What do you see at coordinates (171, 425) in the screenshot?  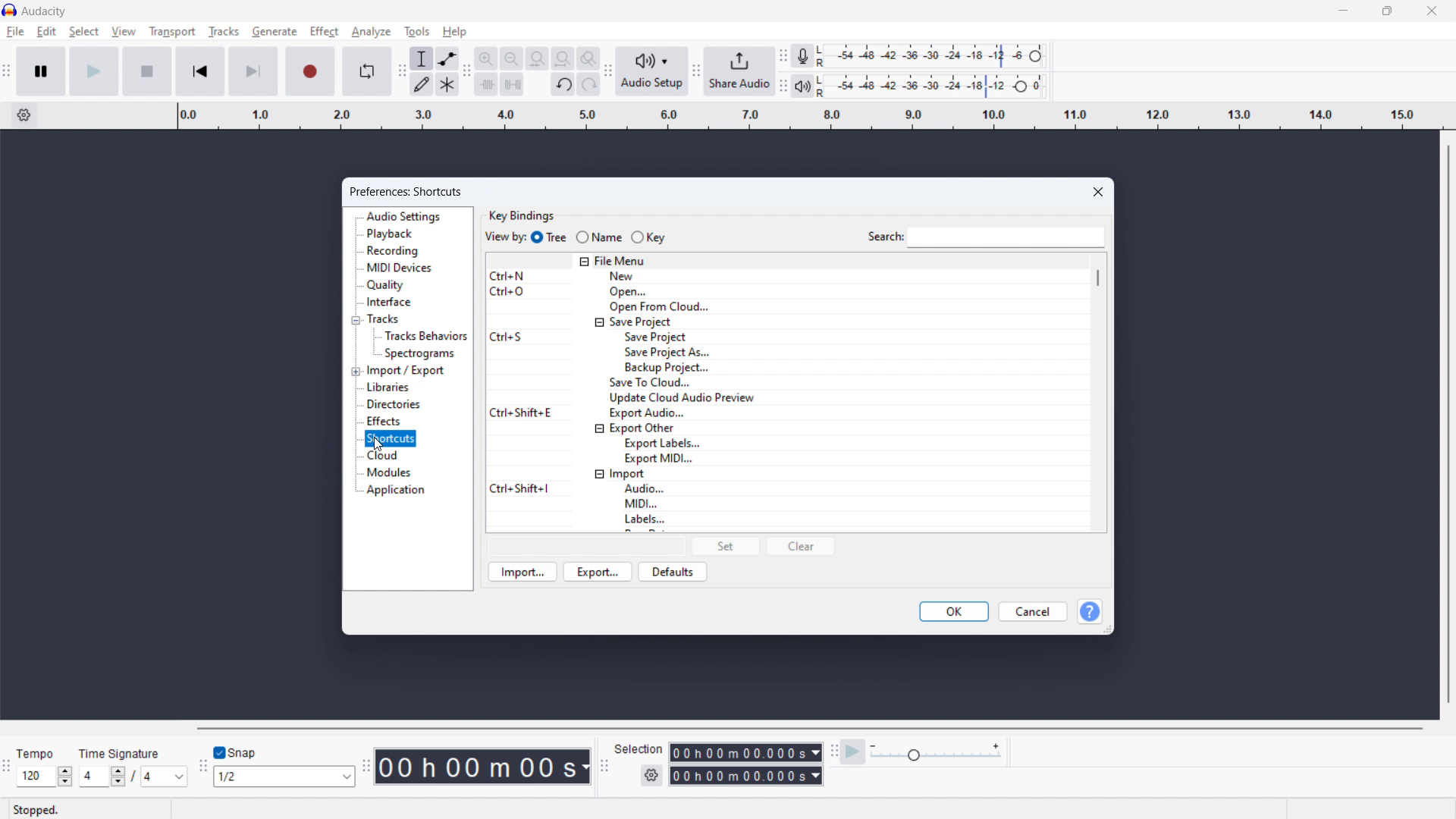 I see `Space for navigating recorded tracks` at bounding box center [171, 425].